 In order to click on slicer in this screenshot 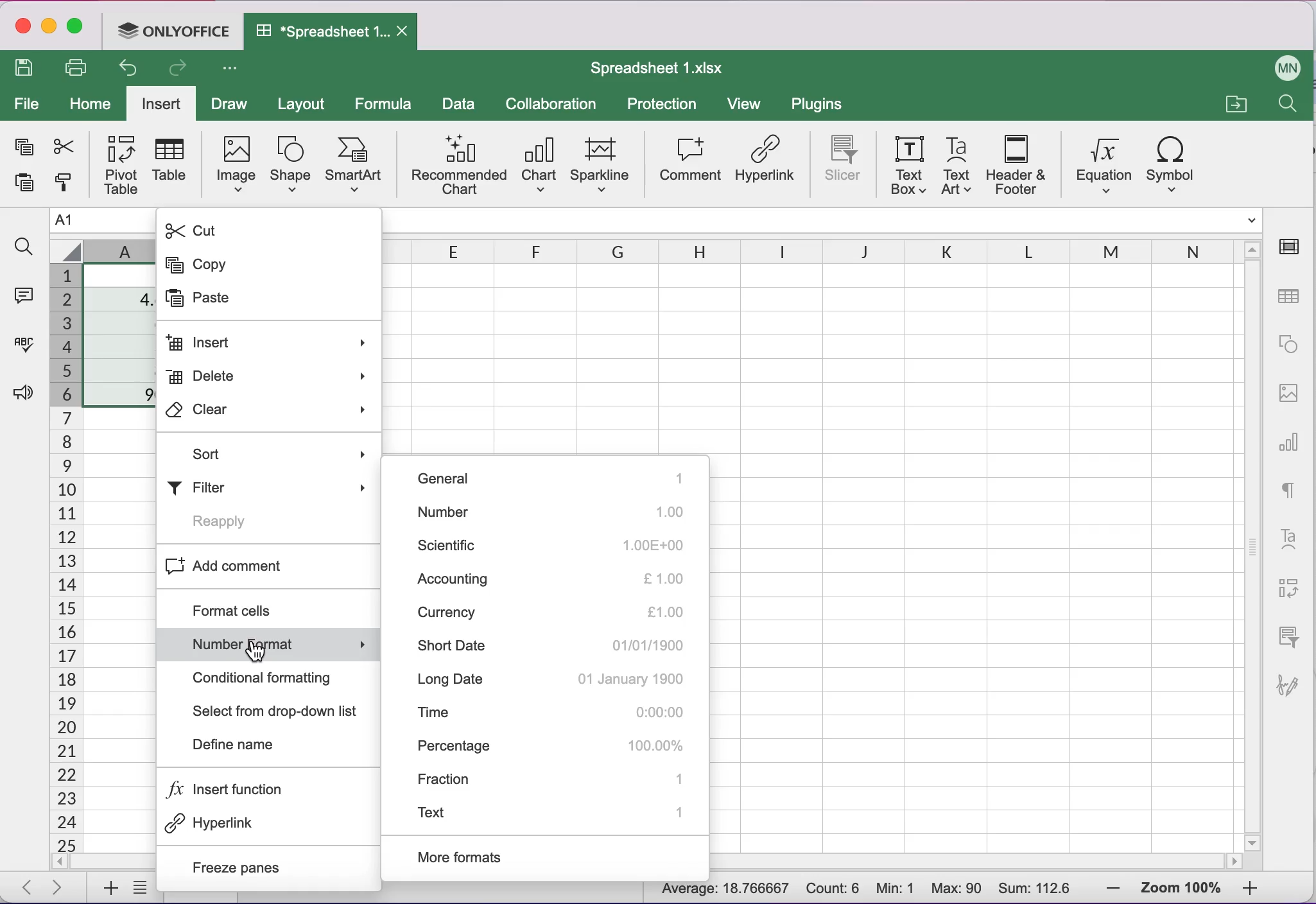, I will do `click(1287, 640)`.